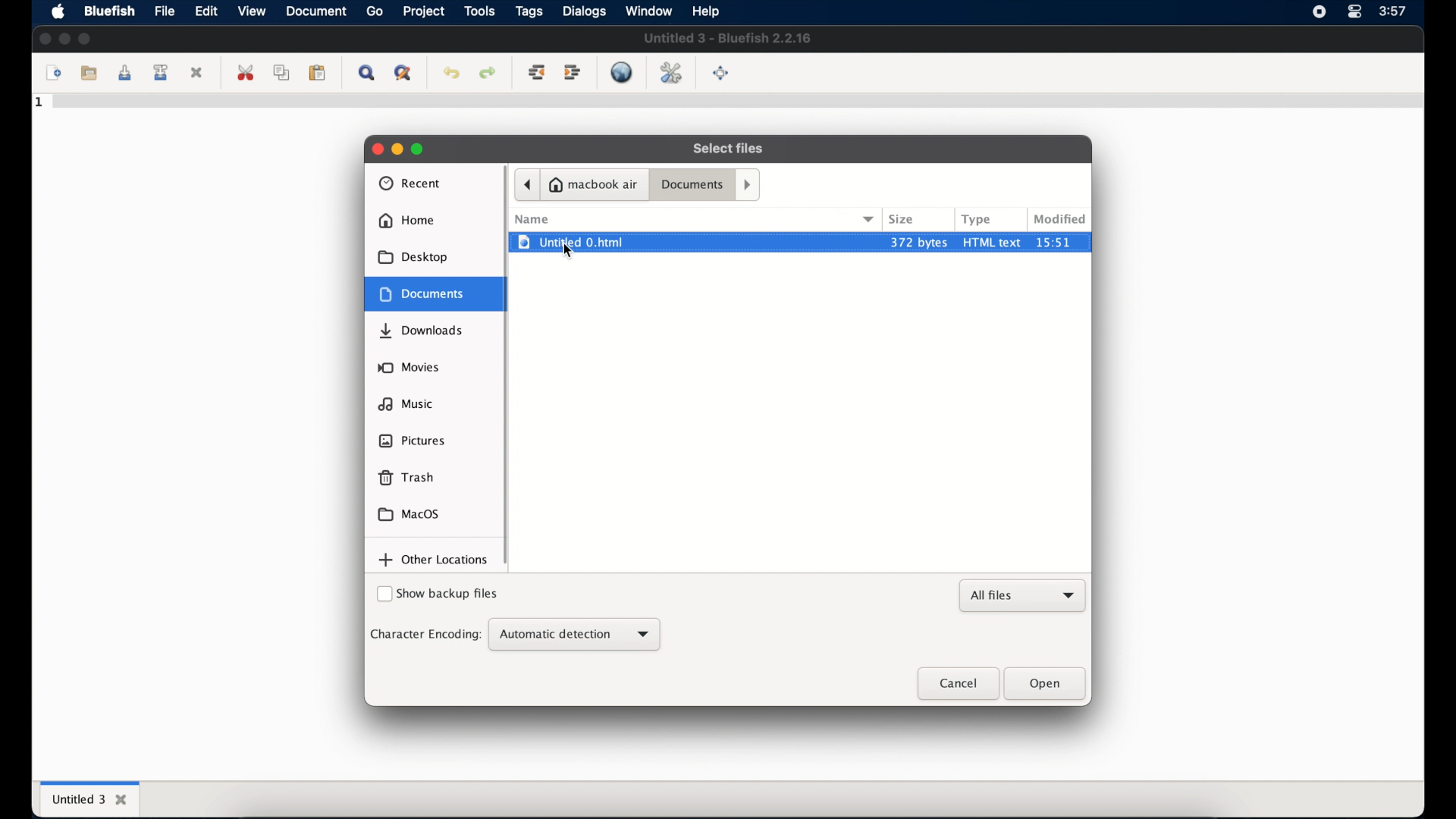  I want to click on type, so click(977, 219).